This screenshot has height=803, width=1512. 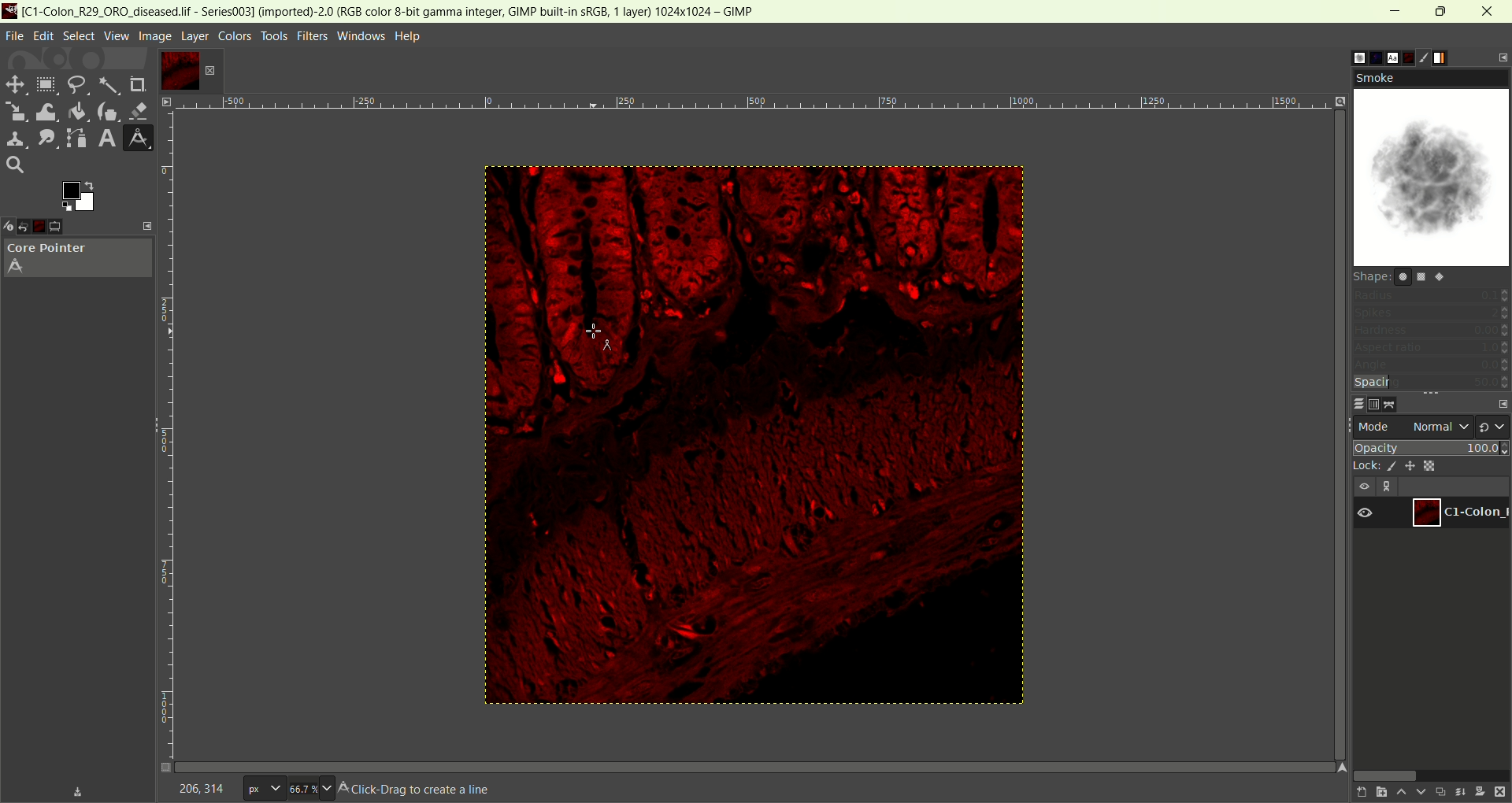 I want to click on search tool, so click(x=15, y=164).